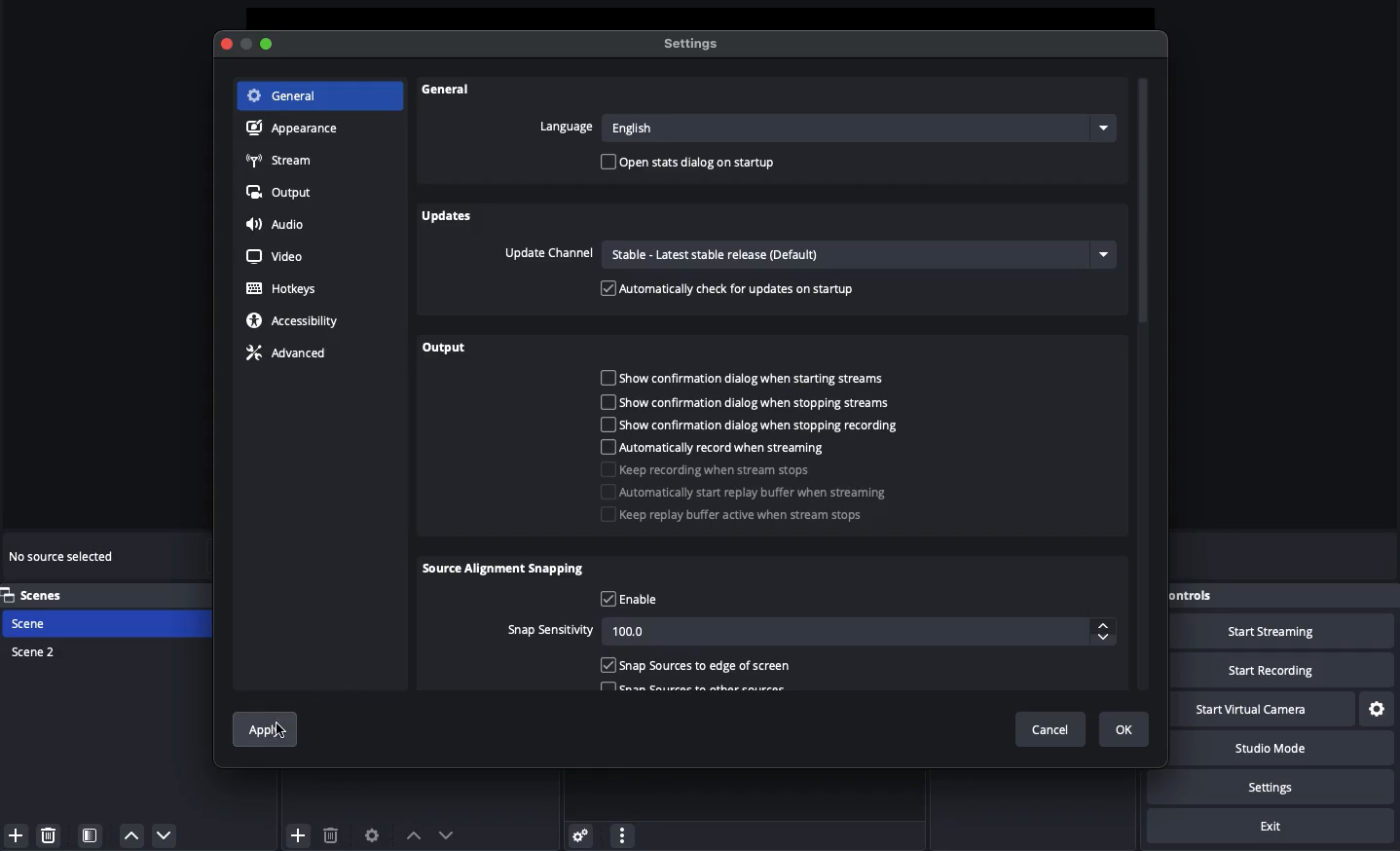  Describe the element at coordinates (247, 45) in the screenshot. I see `Button` at that location.